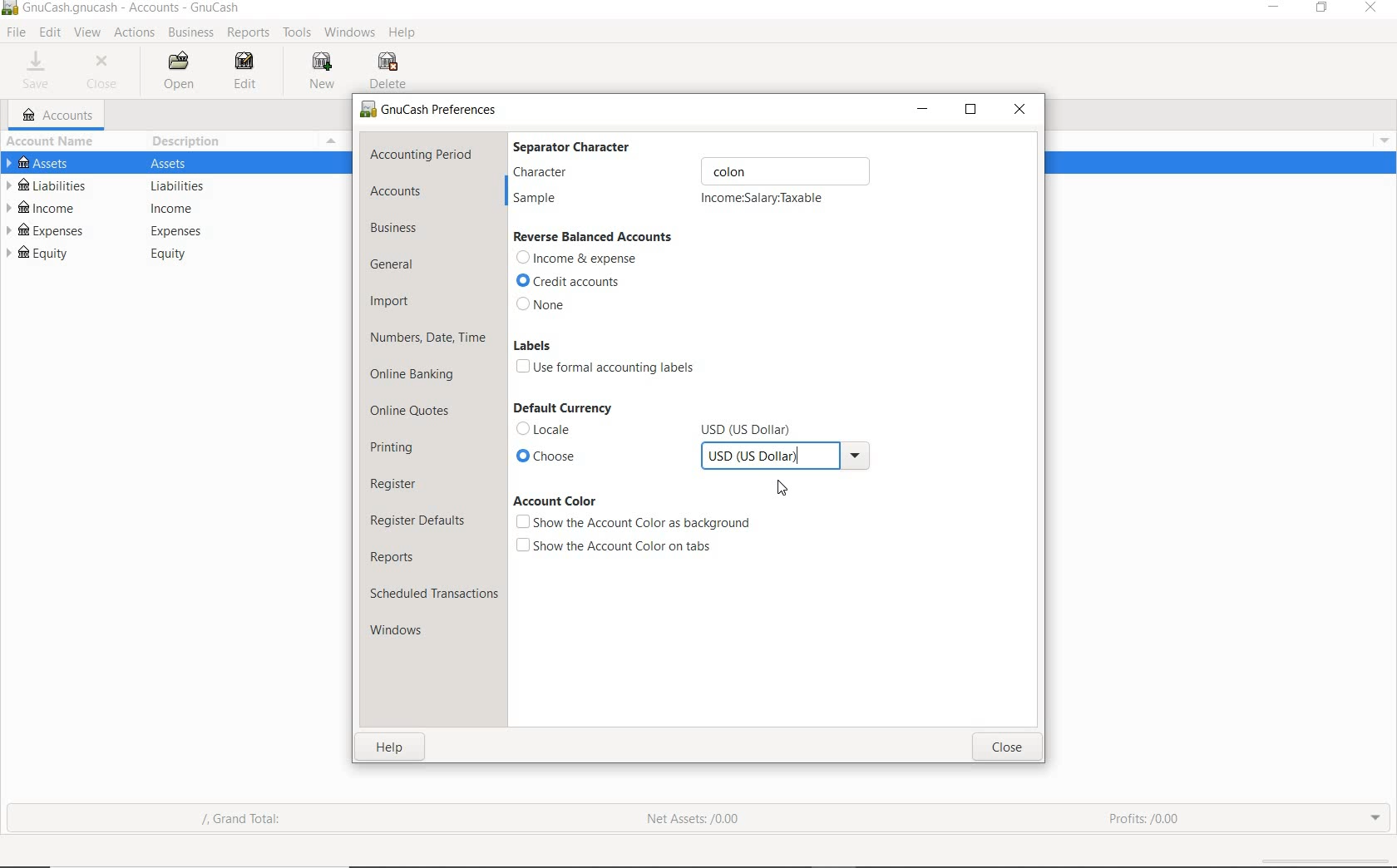 The image size is (1397, 868). I want to click on choose currency, so click(591, 458).